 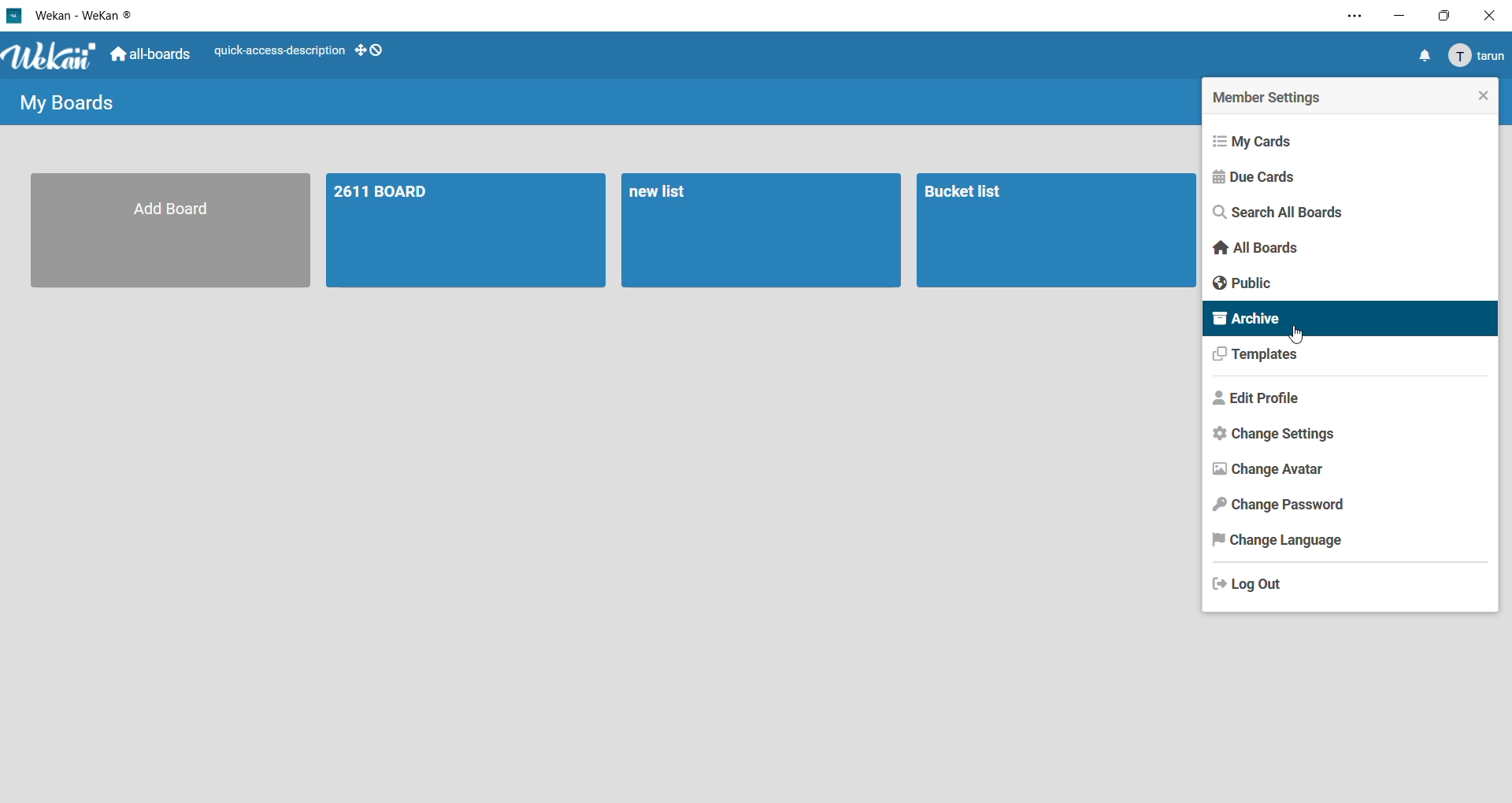 What do you see at coordinates (1247, 283) in the screenshot?
I see `public` at bounding box center [1247, 283].